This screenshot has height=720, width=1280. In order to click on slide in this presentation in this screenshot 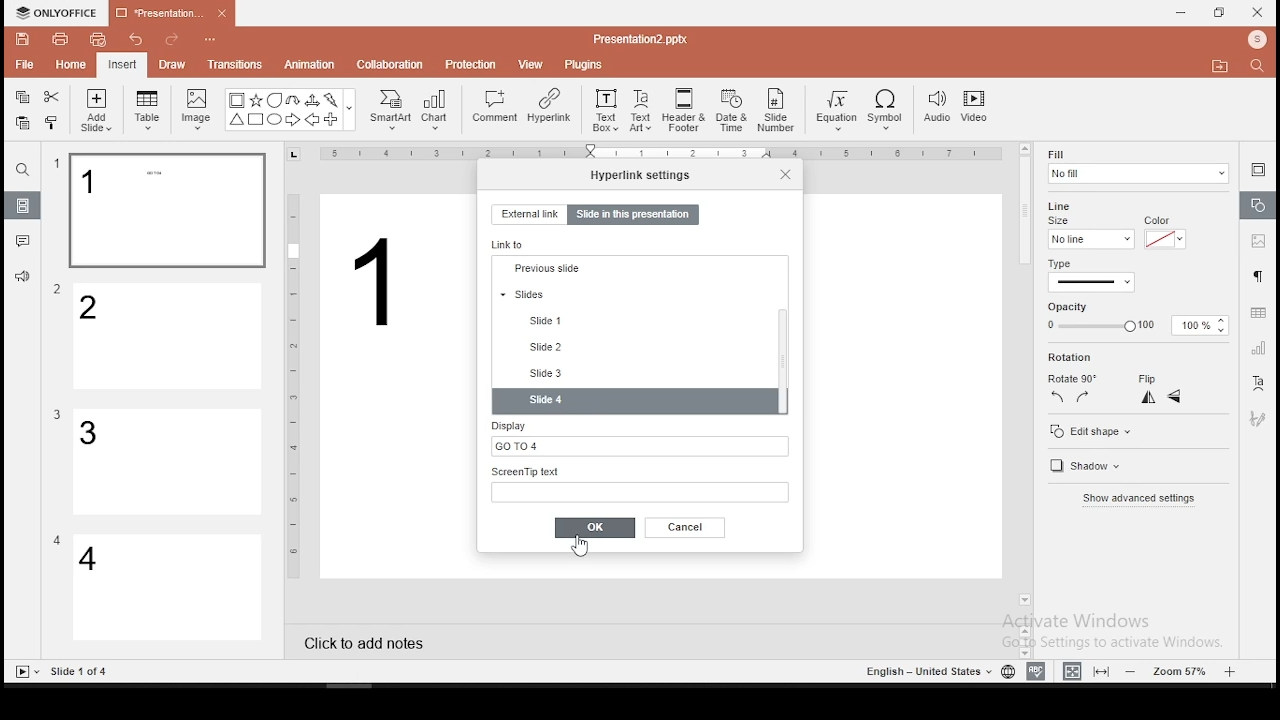, I will do `click(633, 216)`.